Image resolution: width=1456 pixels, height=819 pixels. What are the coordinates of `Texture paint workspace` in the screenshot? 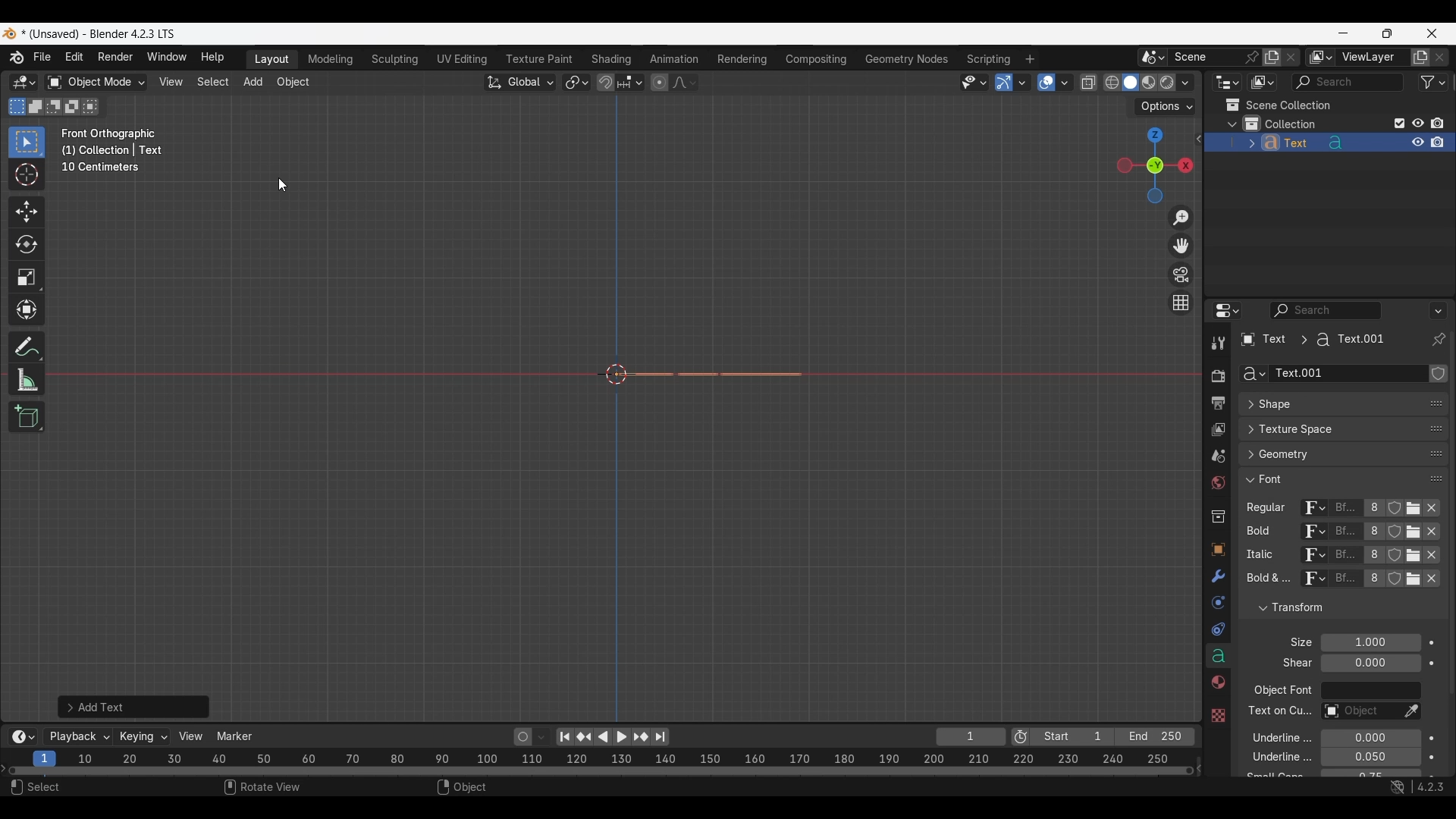 It's located at (541, 59).